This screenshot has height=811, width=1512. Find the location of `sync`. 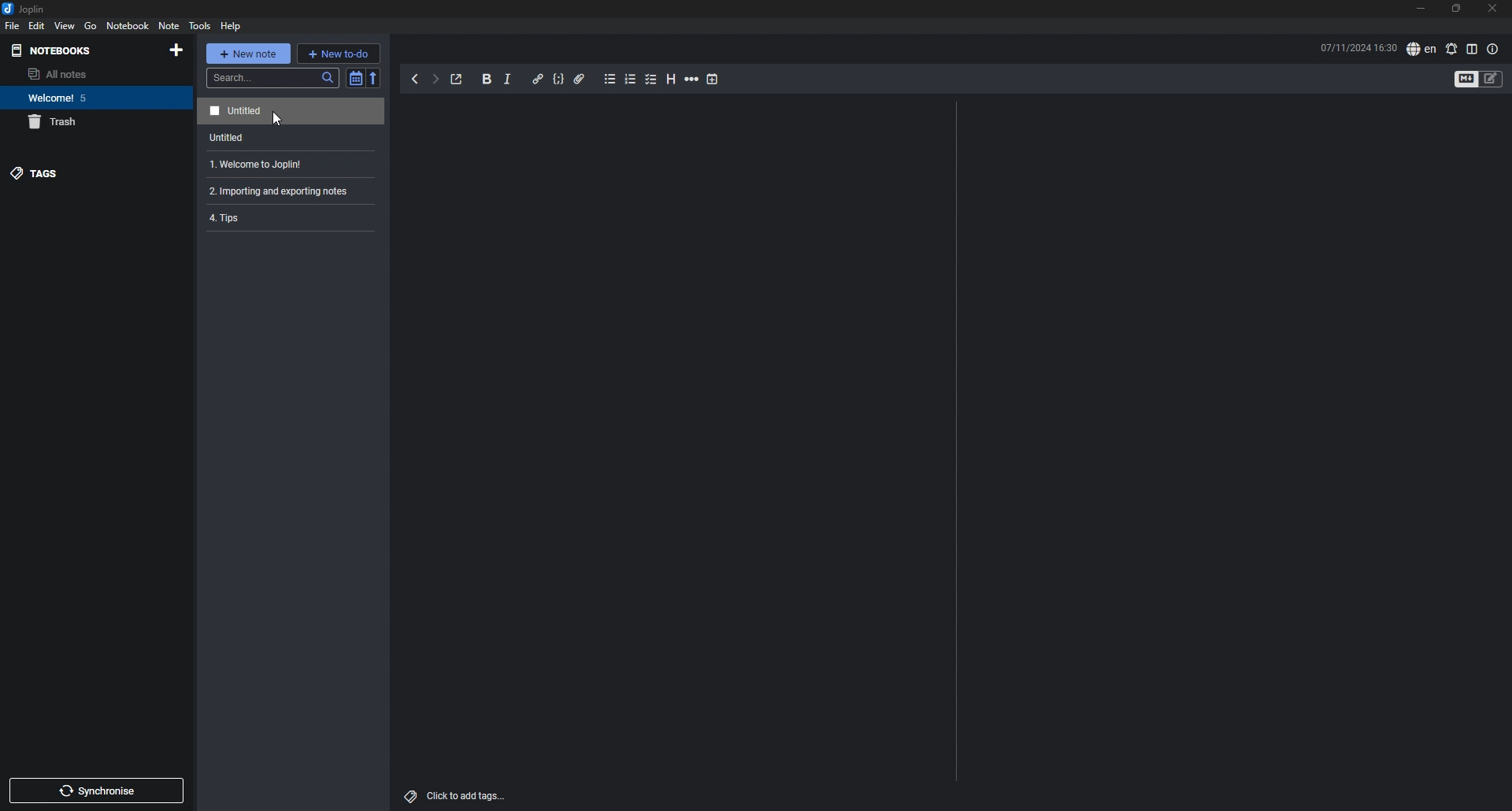

sync is located at coordinates (96, 791).